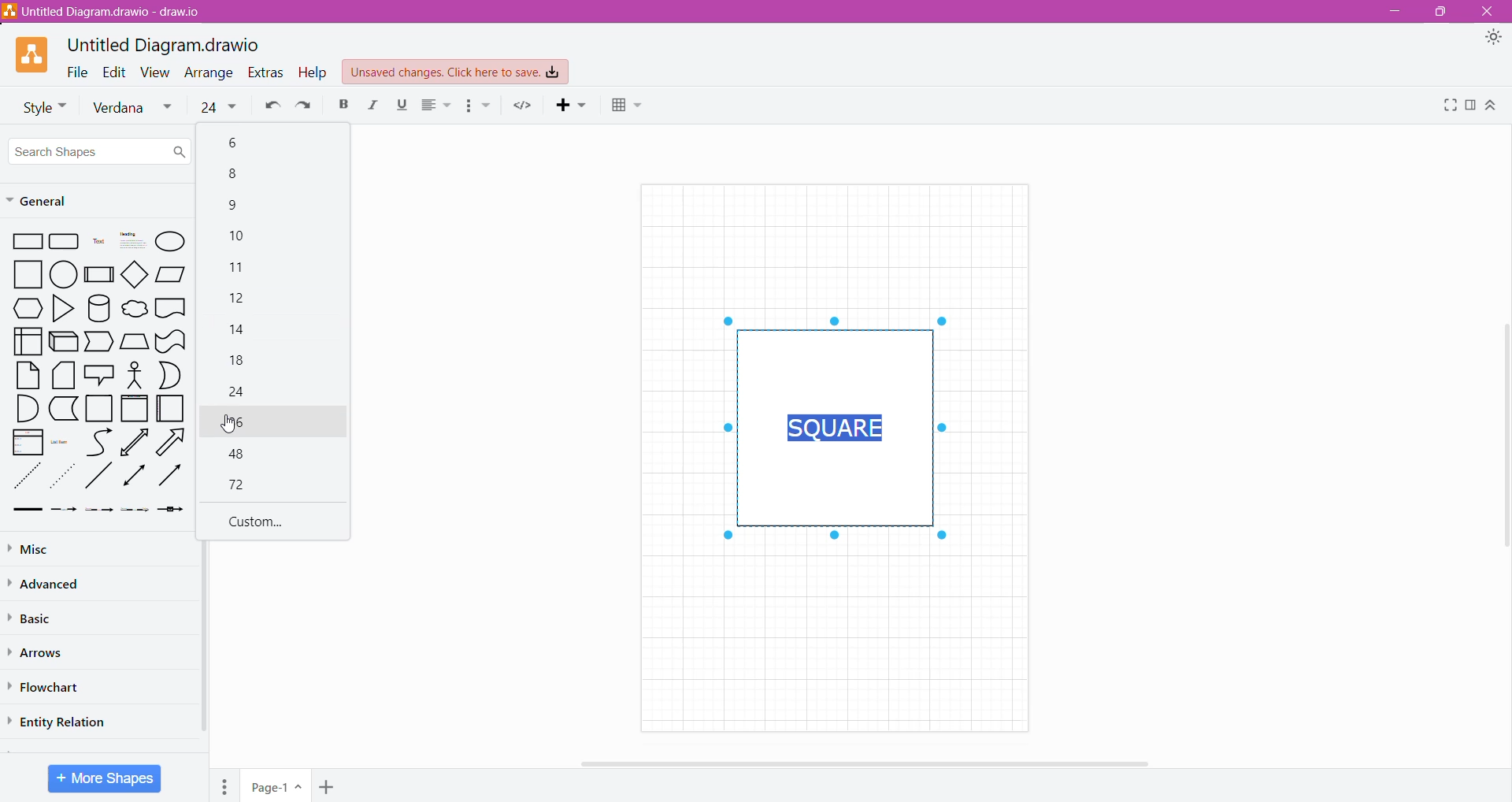  I want to click on Font Style, so click(40, 107).